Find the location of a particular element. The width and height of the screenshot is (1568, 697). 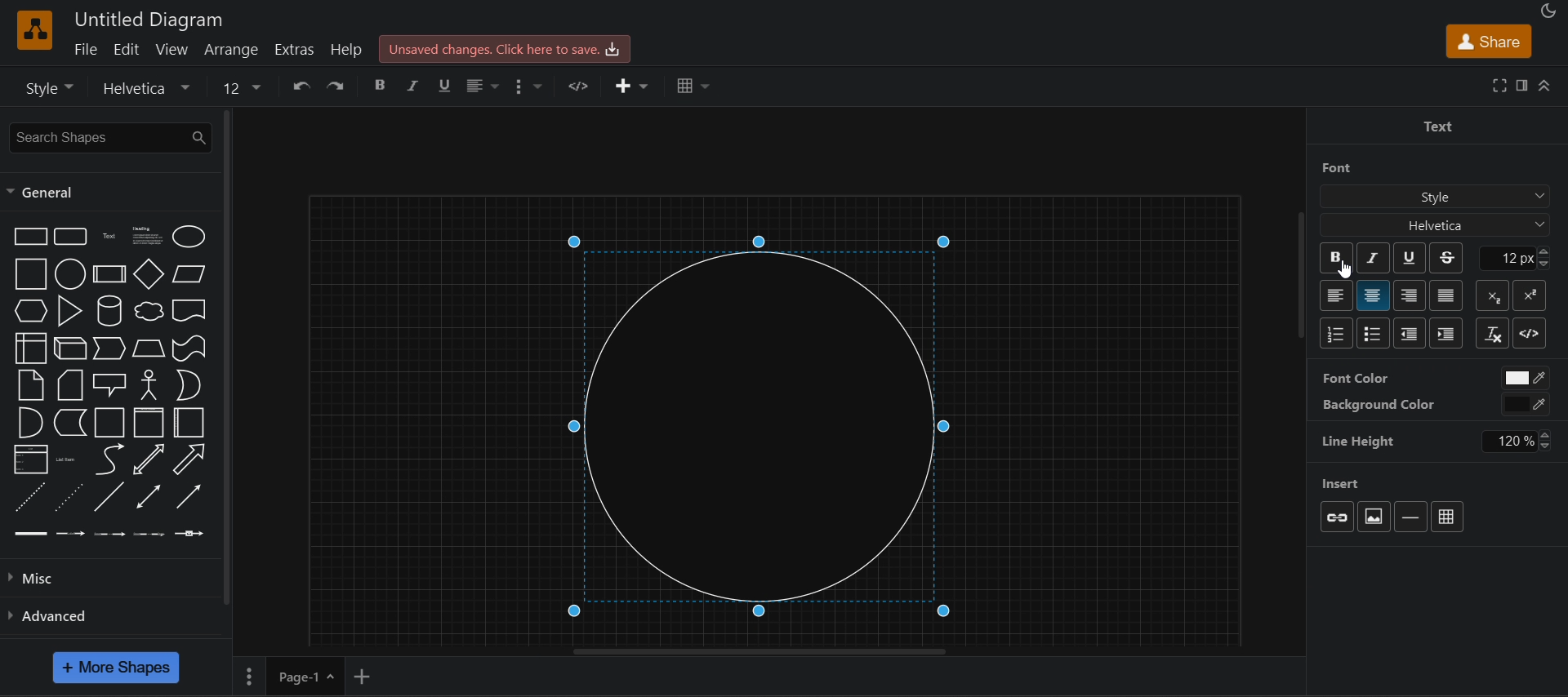

text is located at coordinates (1436, 127).